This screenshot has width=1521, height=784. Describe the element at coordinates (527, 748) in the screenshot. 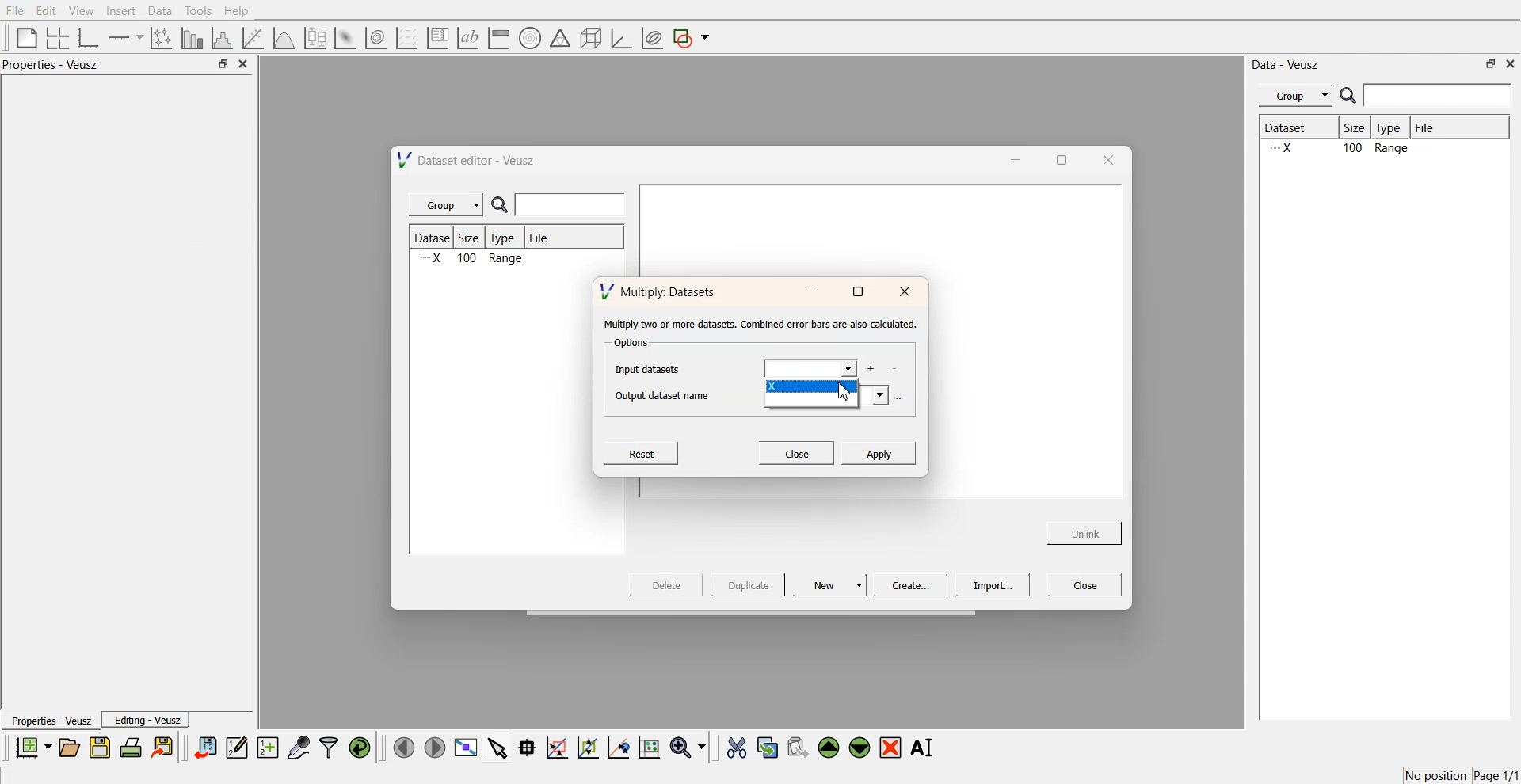

I see `read data points` at that location.